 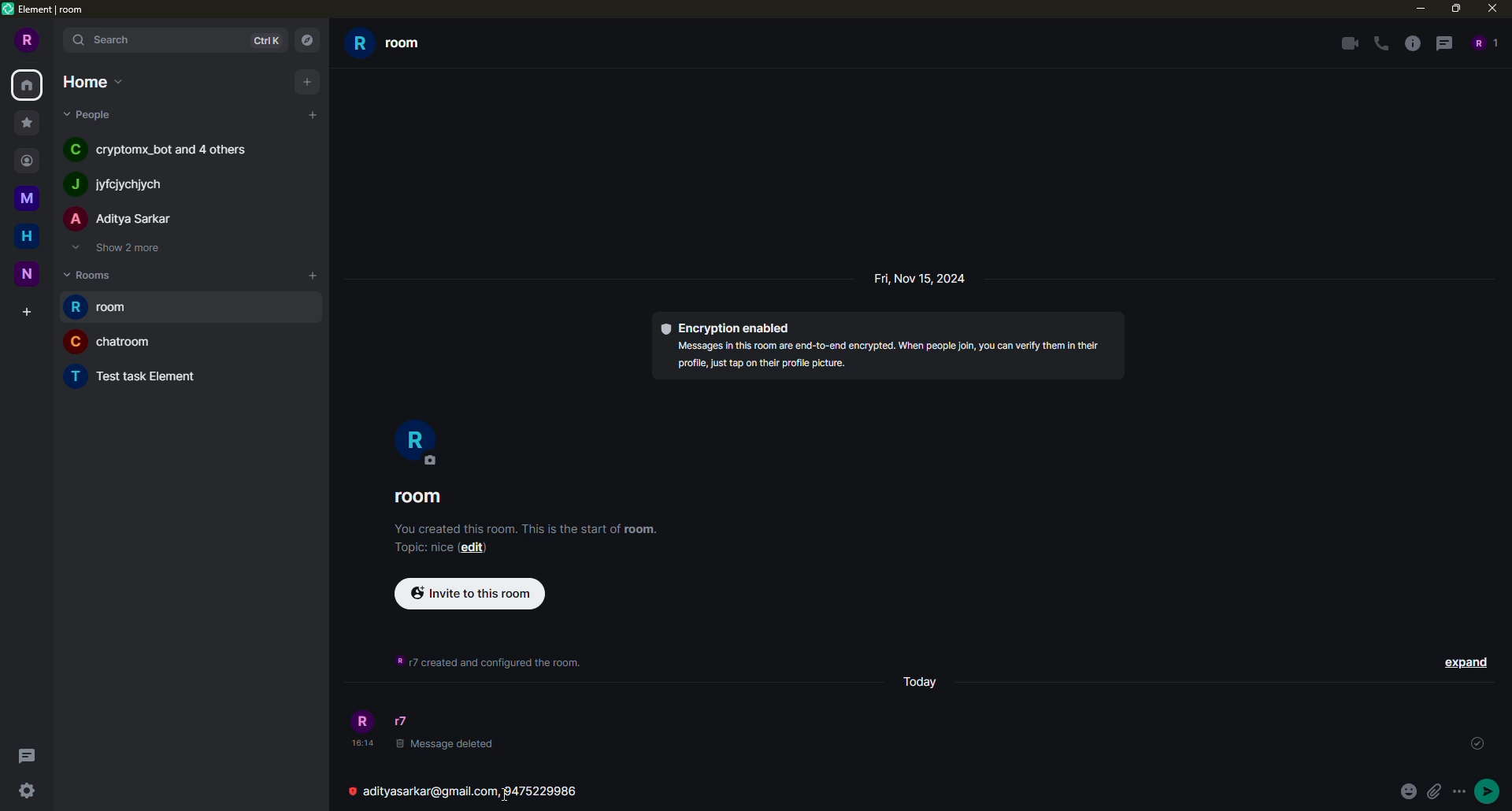 What do you see at coordinates (362, 720) in the screenshot?
I see `profile` at bounding box center [362, 720].